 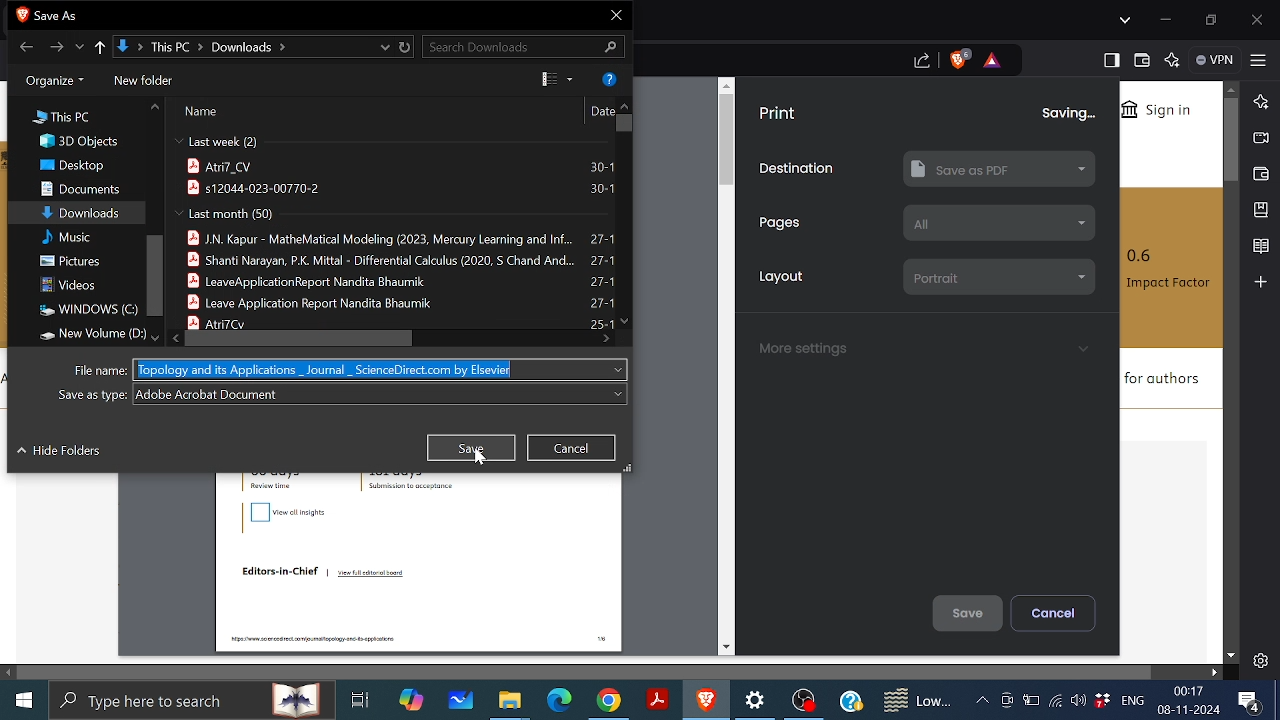 What do you see at coordinates (292, 512) in the screenshot?
I see `view all insights` at bounding box center [292, 512].